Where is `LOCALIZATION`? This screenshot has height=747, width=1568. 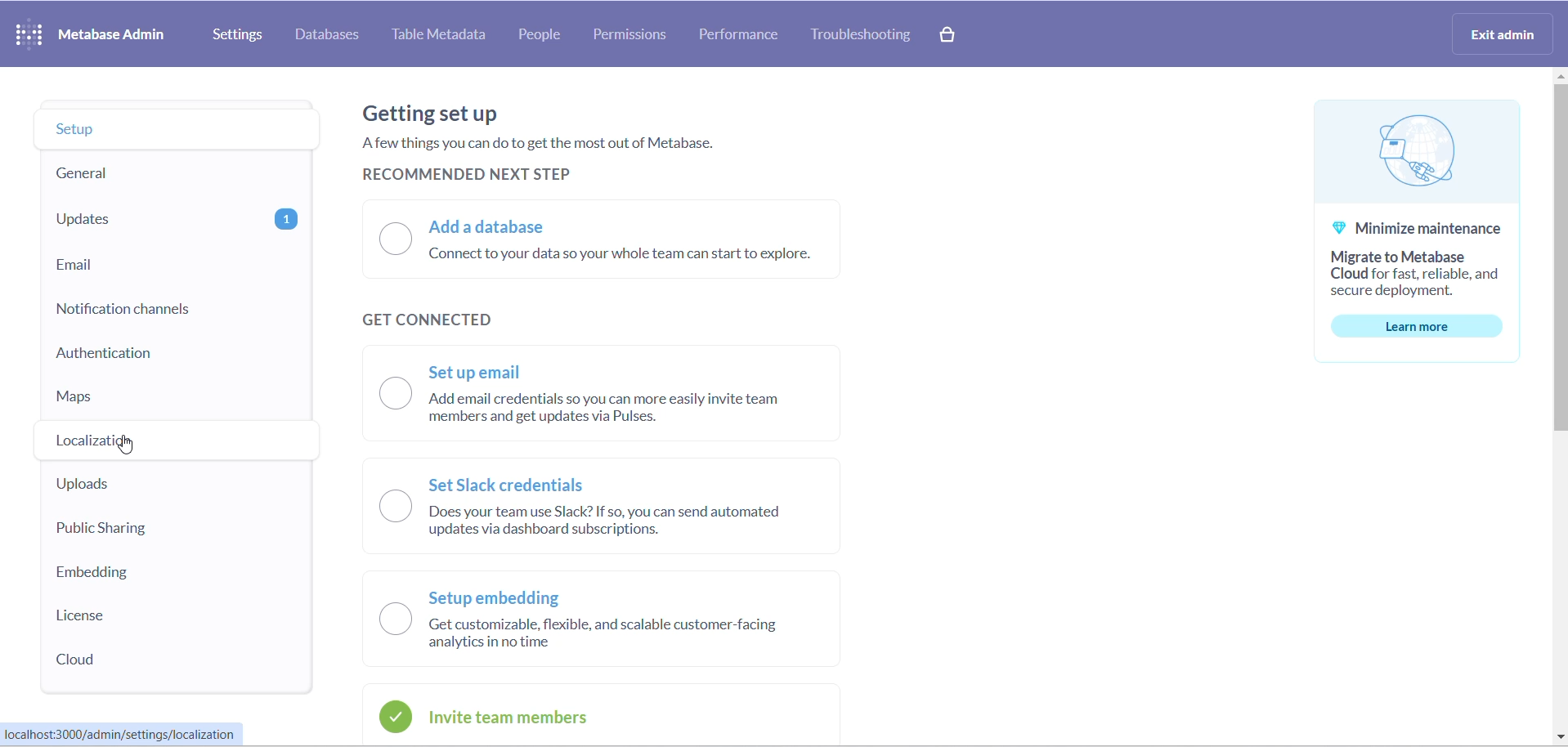
LOCALIZATION is located at coordinates (175, 442).